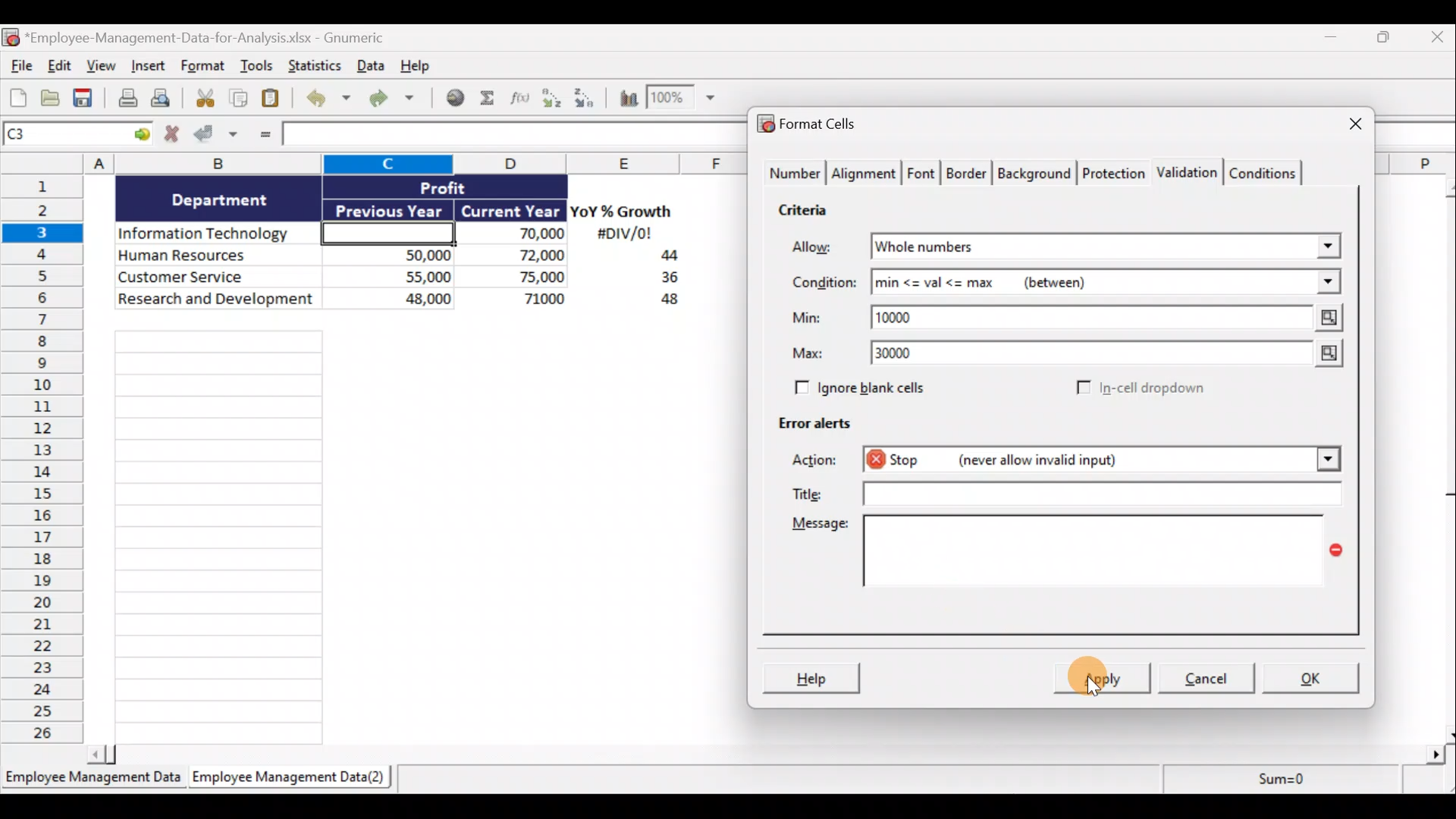  Describe the element at coordinates (808, 356) in the screenshot. I see `Max:` at that location.